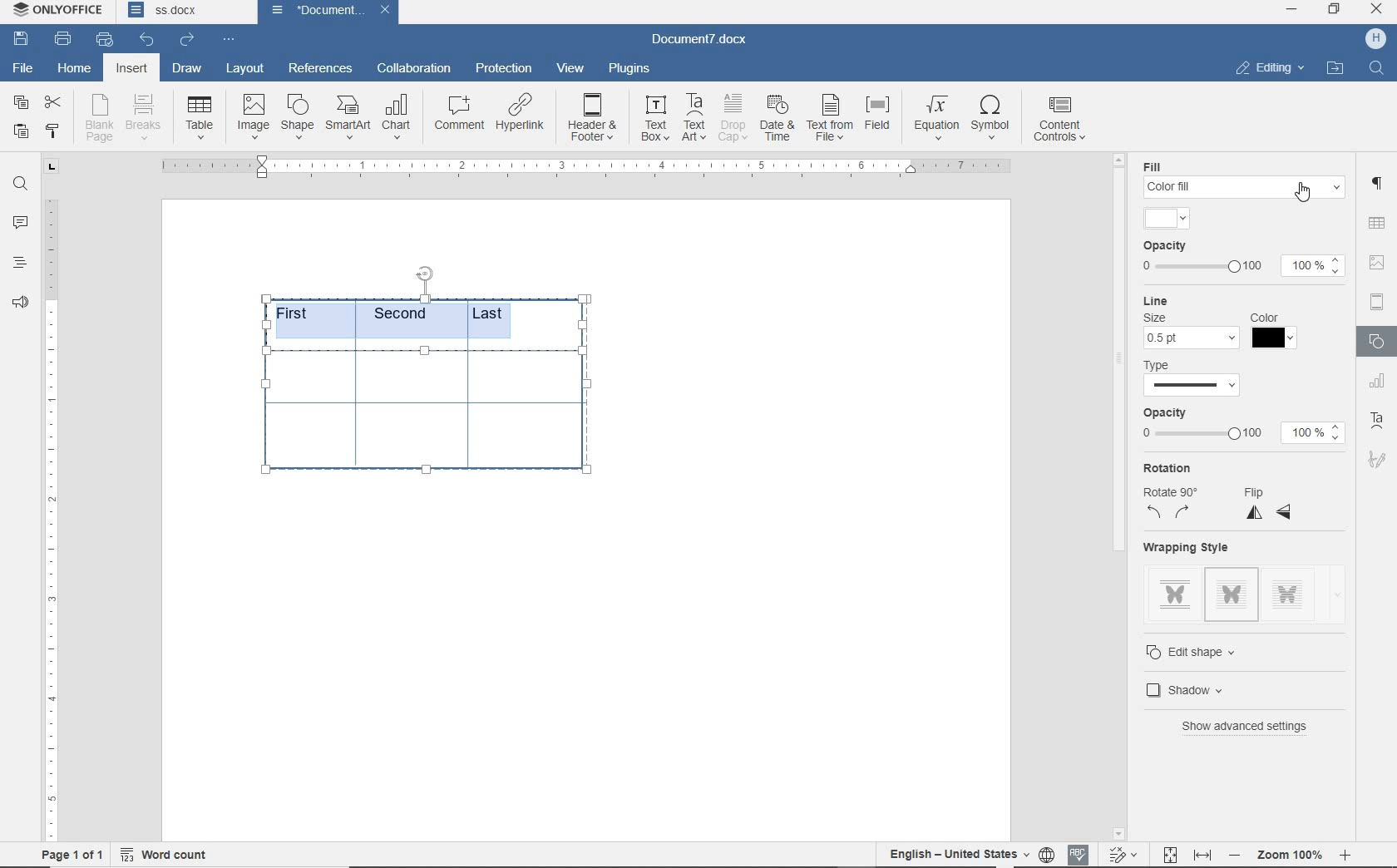 The image size is (1397, 868). Describe the element at coordinates (1207, 652) in the screenshot. I see `edit shape` at that location.